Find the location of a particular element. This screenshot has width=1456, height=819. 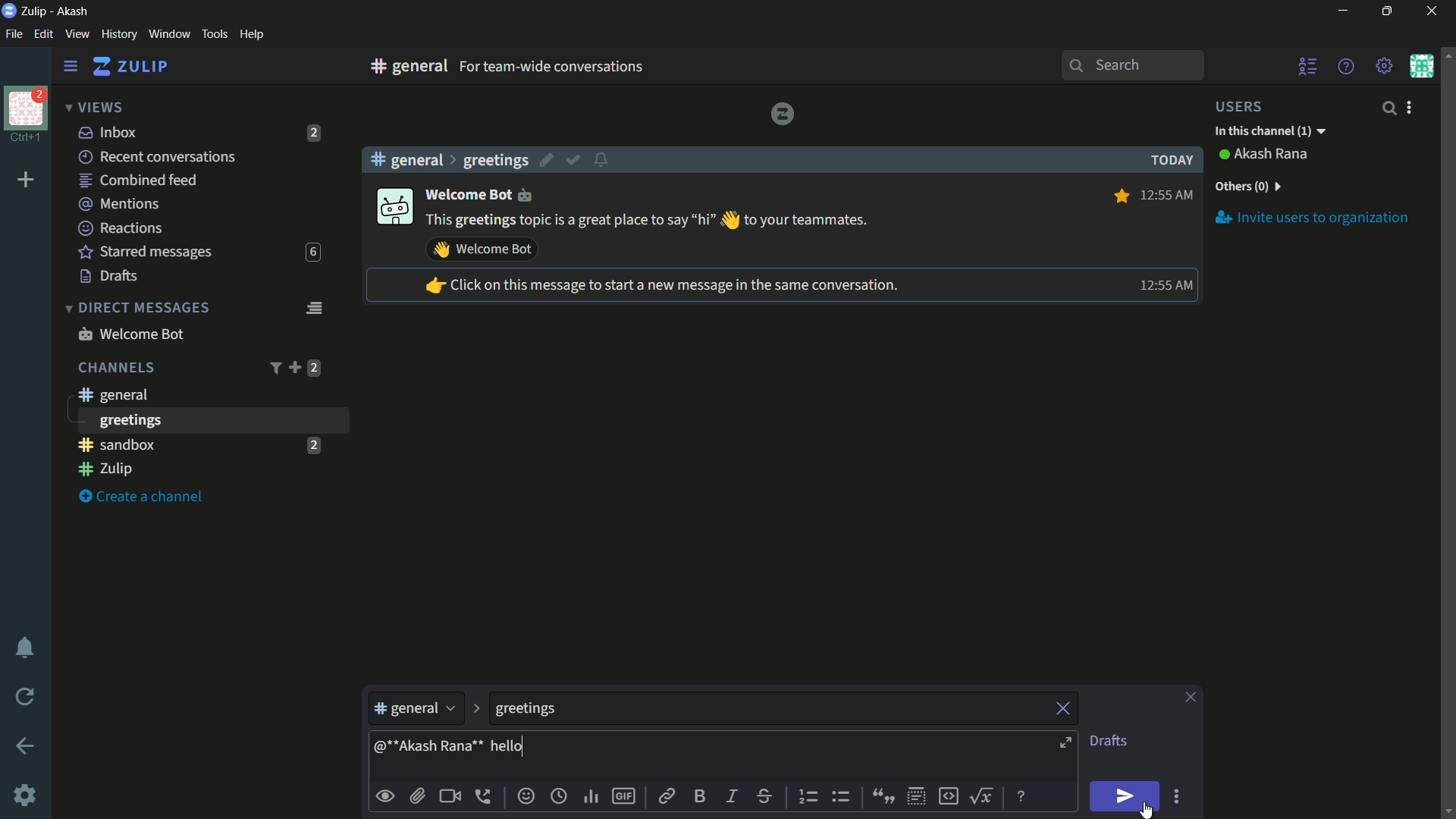

link is located at coordinates (665, 799).